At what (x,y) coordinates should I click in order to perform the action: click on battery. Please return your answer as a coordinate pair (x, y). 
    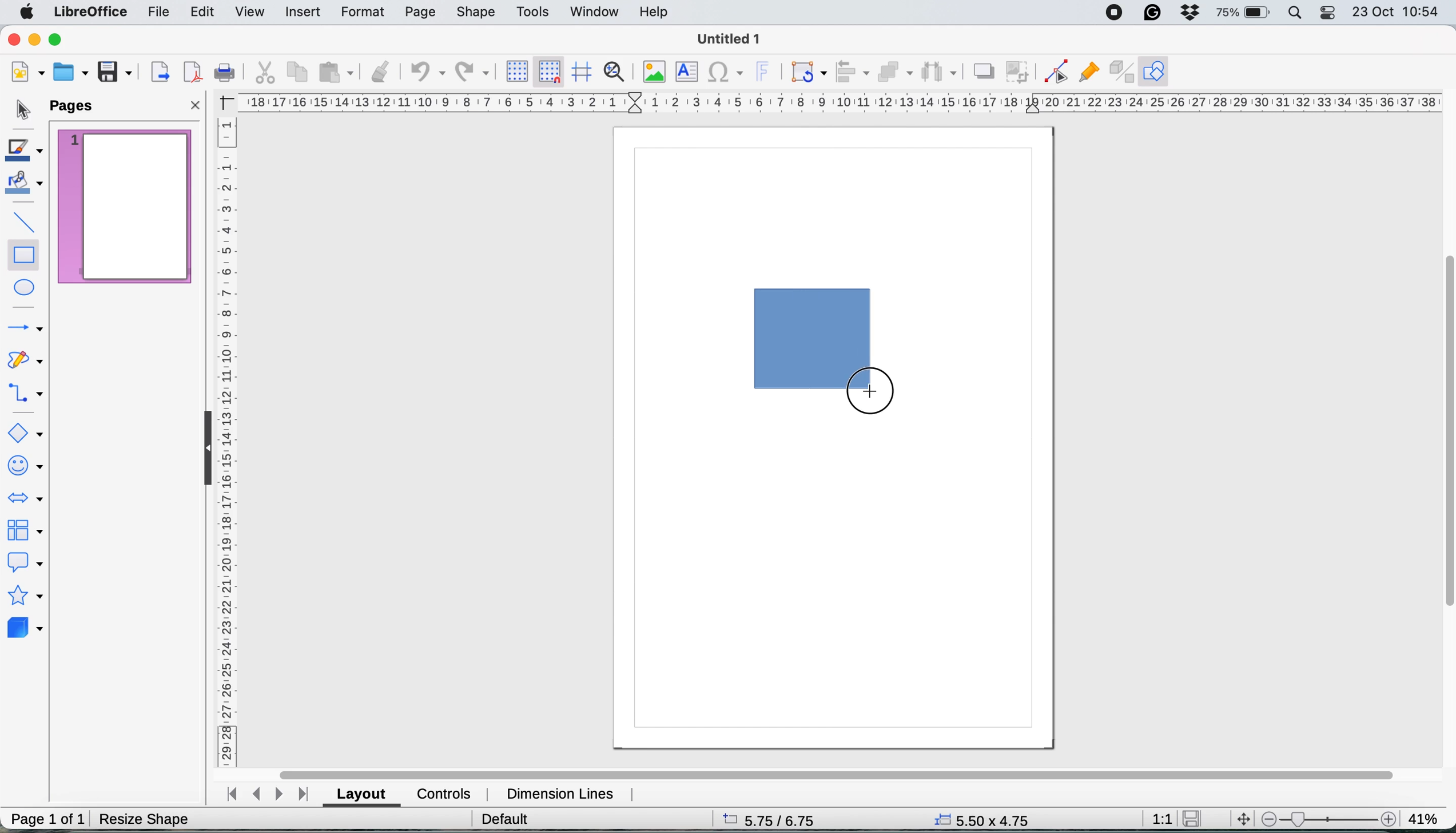
    Looking at the image, I should click on (1245, 13).